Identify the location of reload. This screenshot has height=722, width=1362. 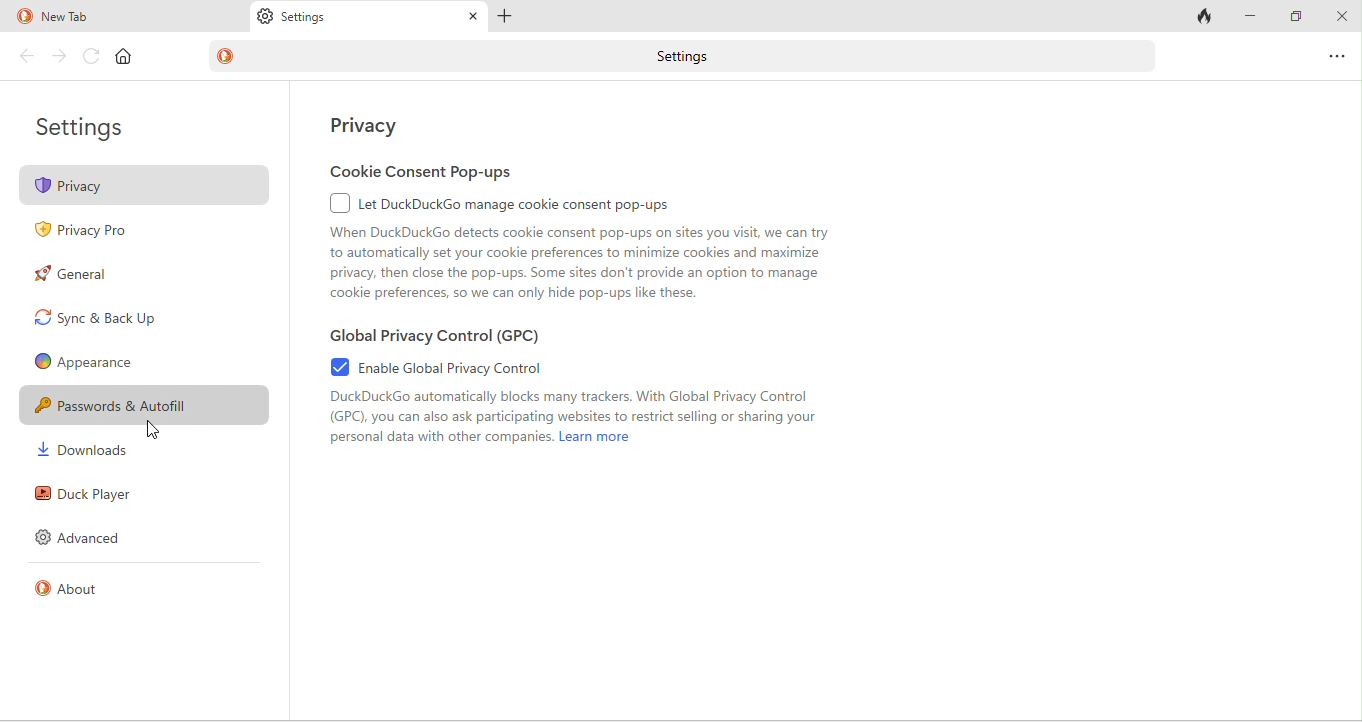
(90, 55).